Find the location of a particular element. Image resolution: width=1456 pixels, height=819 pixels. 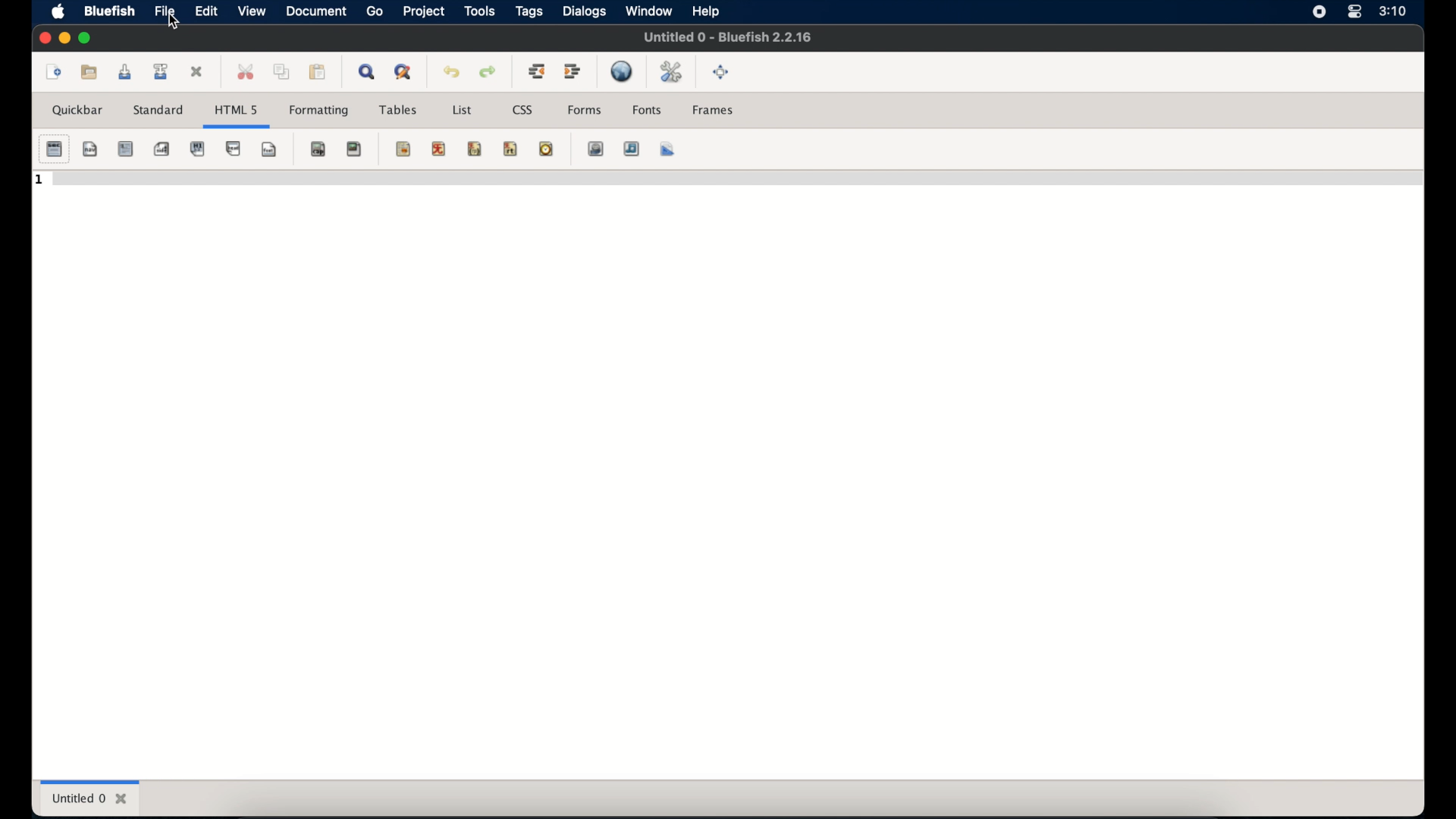

canvas  is located at coordinates (668, 149).